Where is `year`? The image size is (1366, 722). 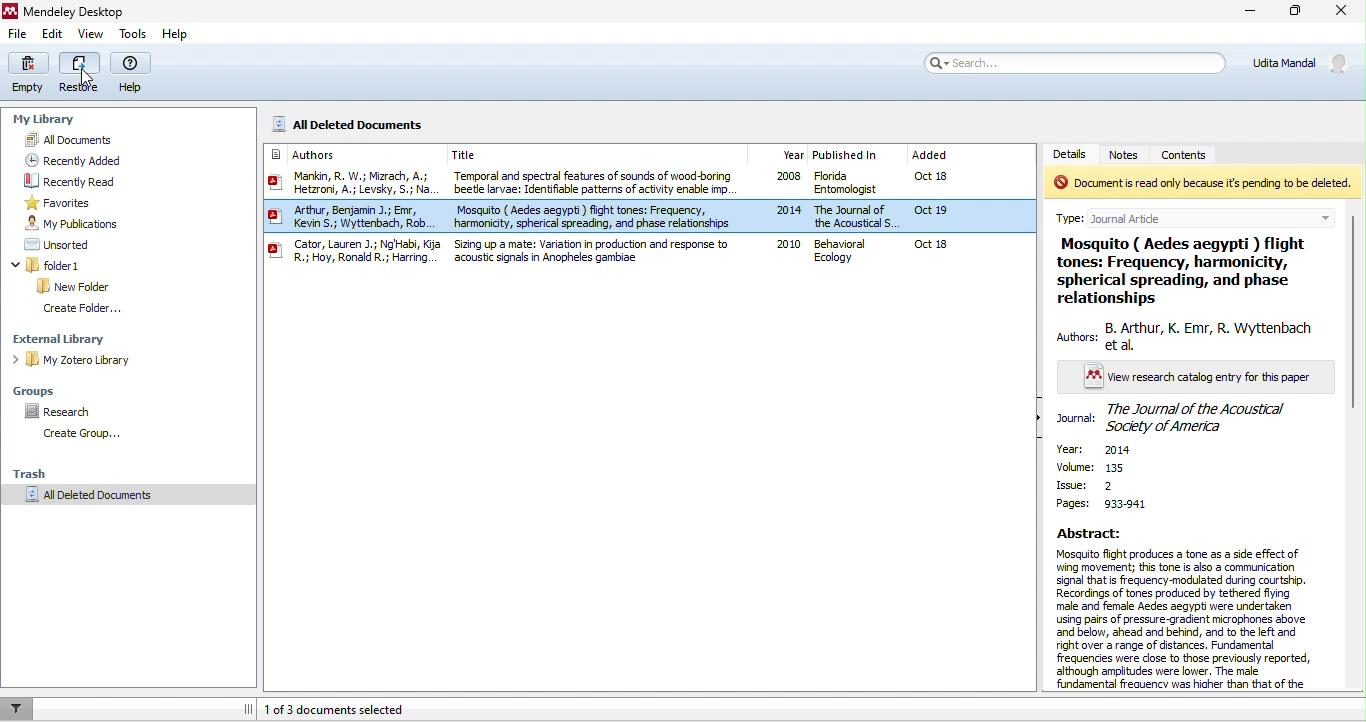 year is located at coordinates (1118, 451).